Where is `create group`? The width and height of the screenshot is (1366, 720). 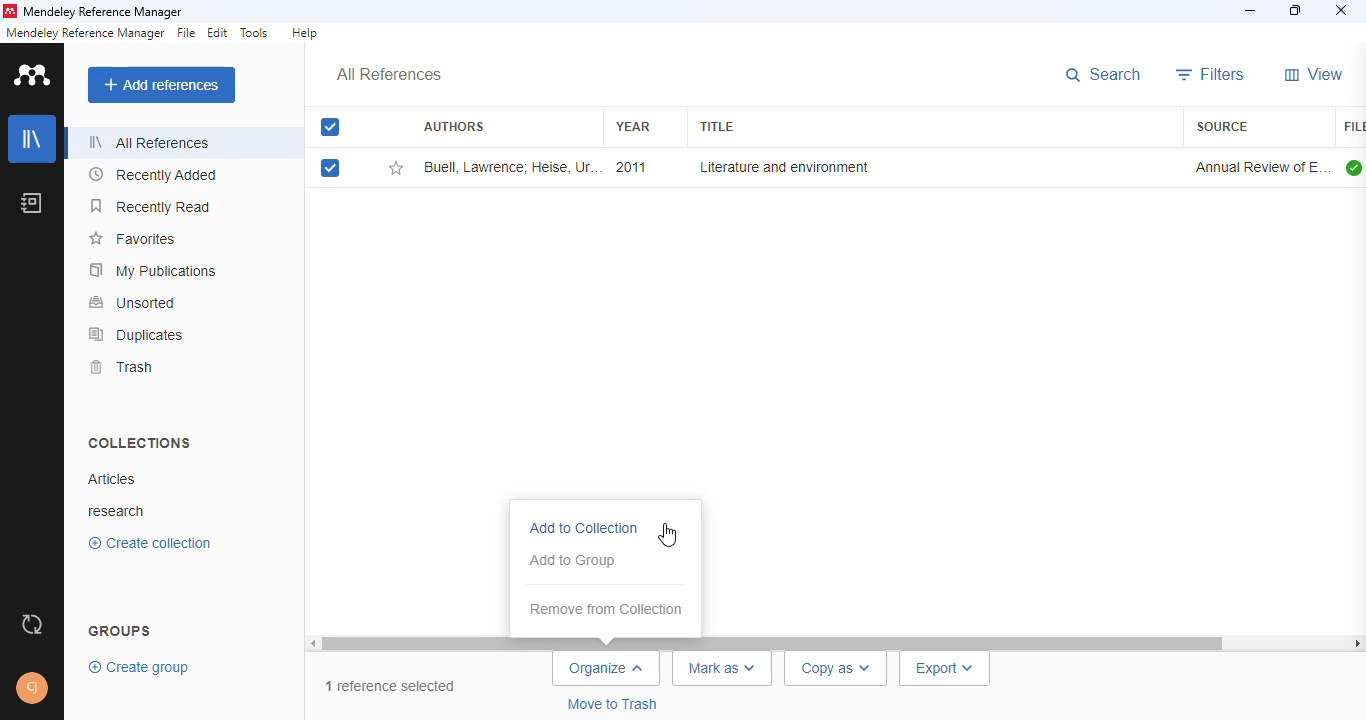 create group is located at coordinates (136, 668).